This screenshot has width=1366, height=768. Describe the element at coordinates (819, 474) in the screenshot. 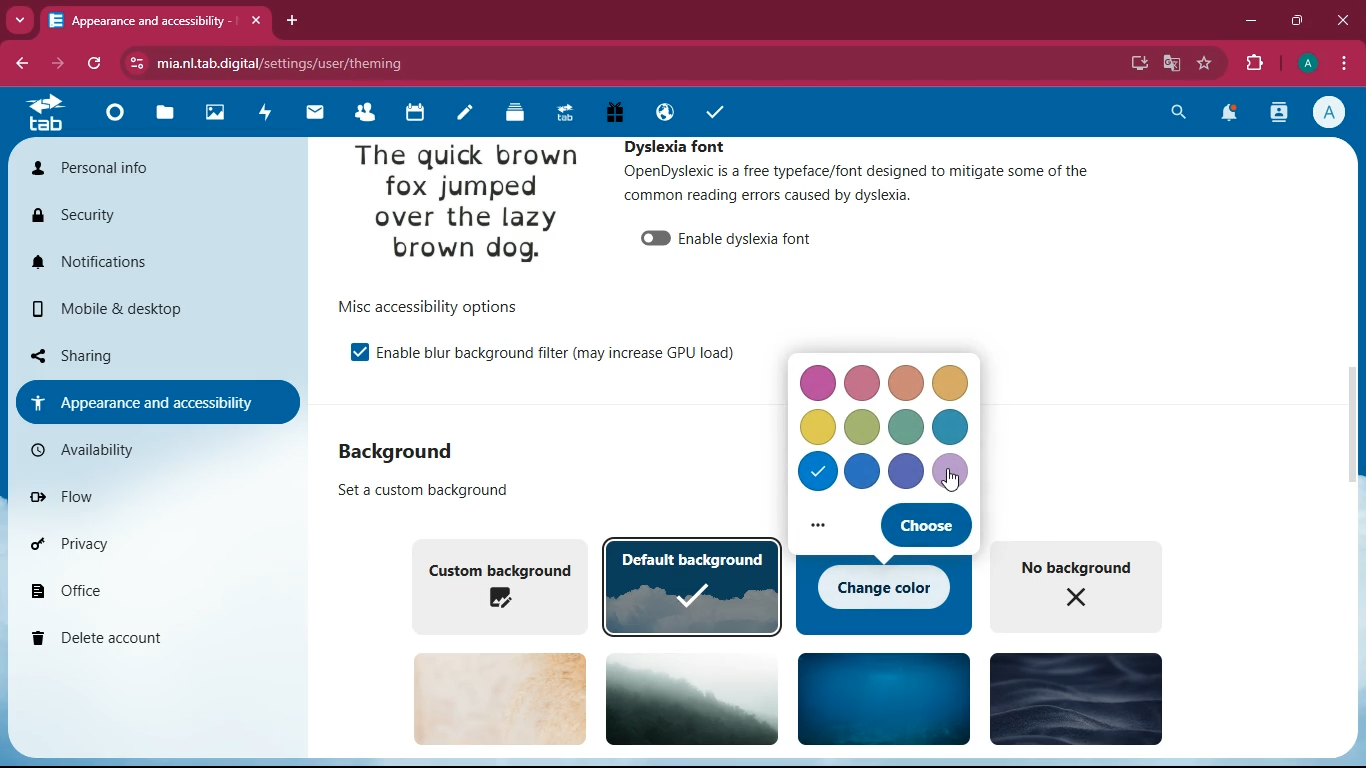

I see `color` at that location.